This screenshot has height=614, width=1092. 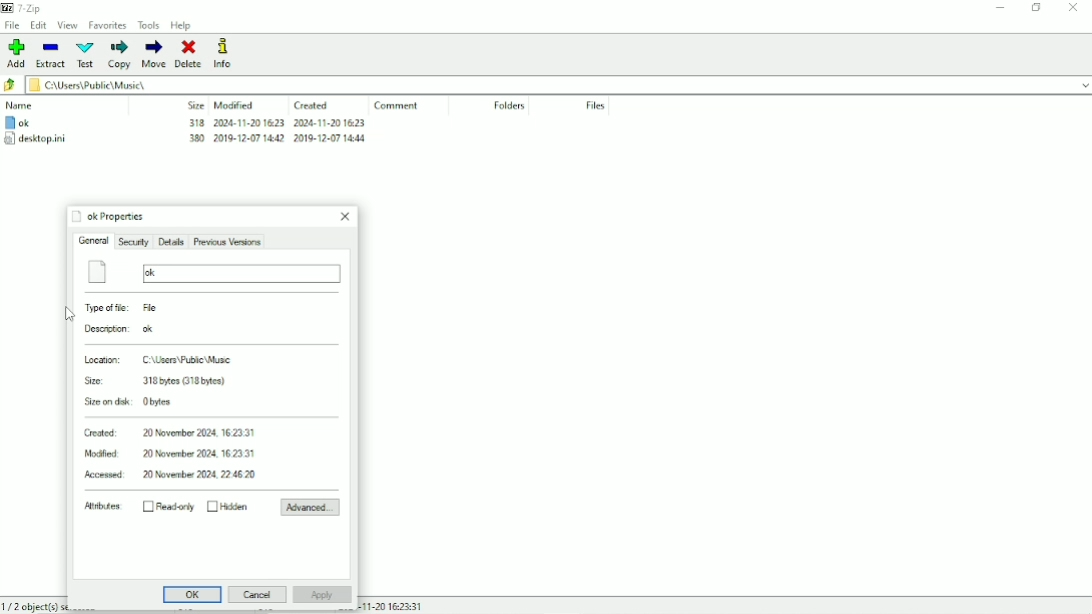 I want to click on Tools, so click(x=150, y=25).